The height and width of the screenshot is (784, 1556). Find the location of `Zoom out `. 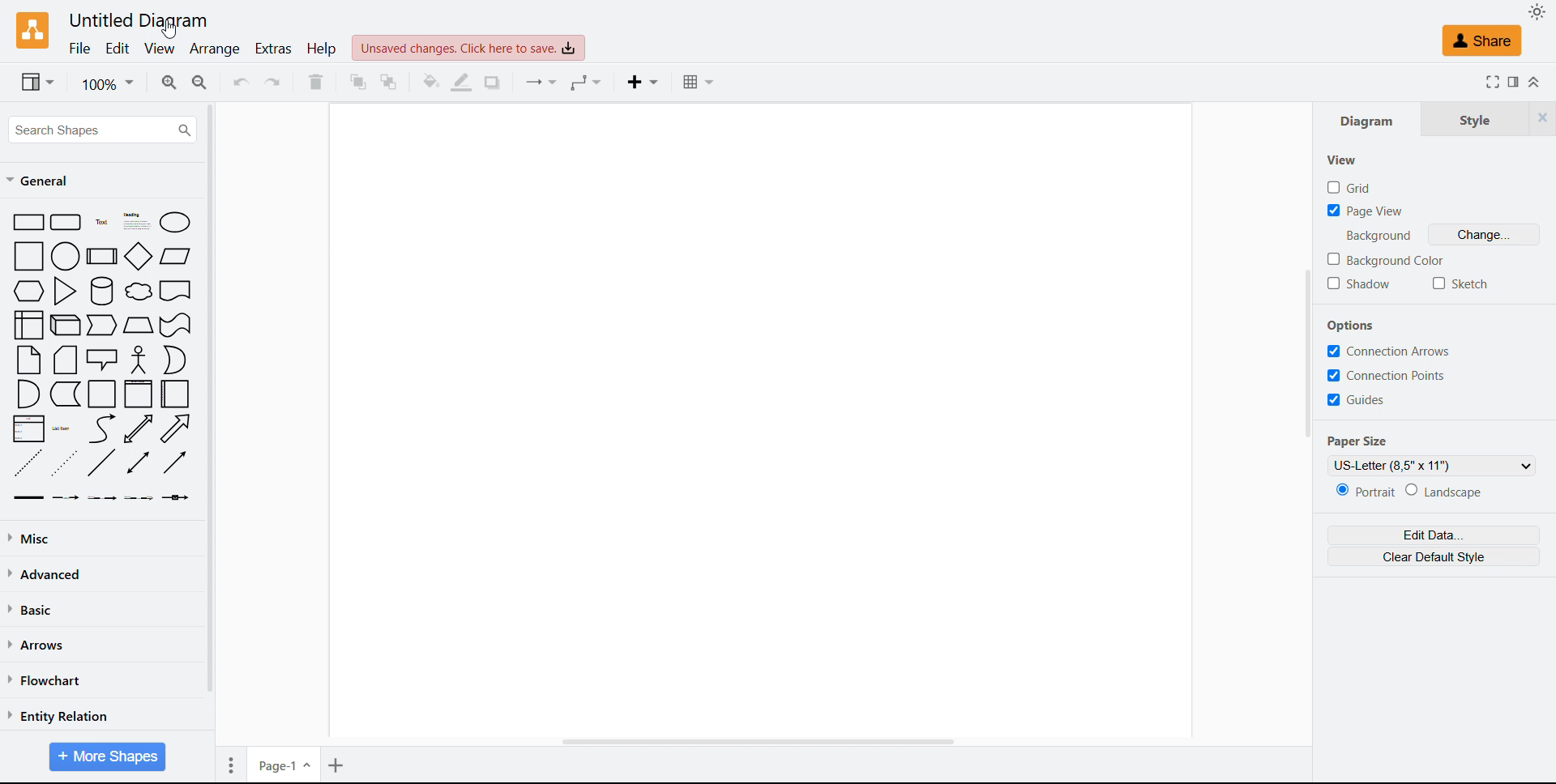

Zoom out  is located at coordinates (201, 83).